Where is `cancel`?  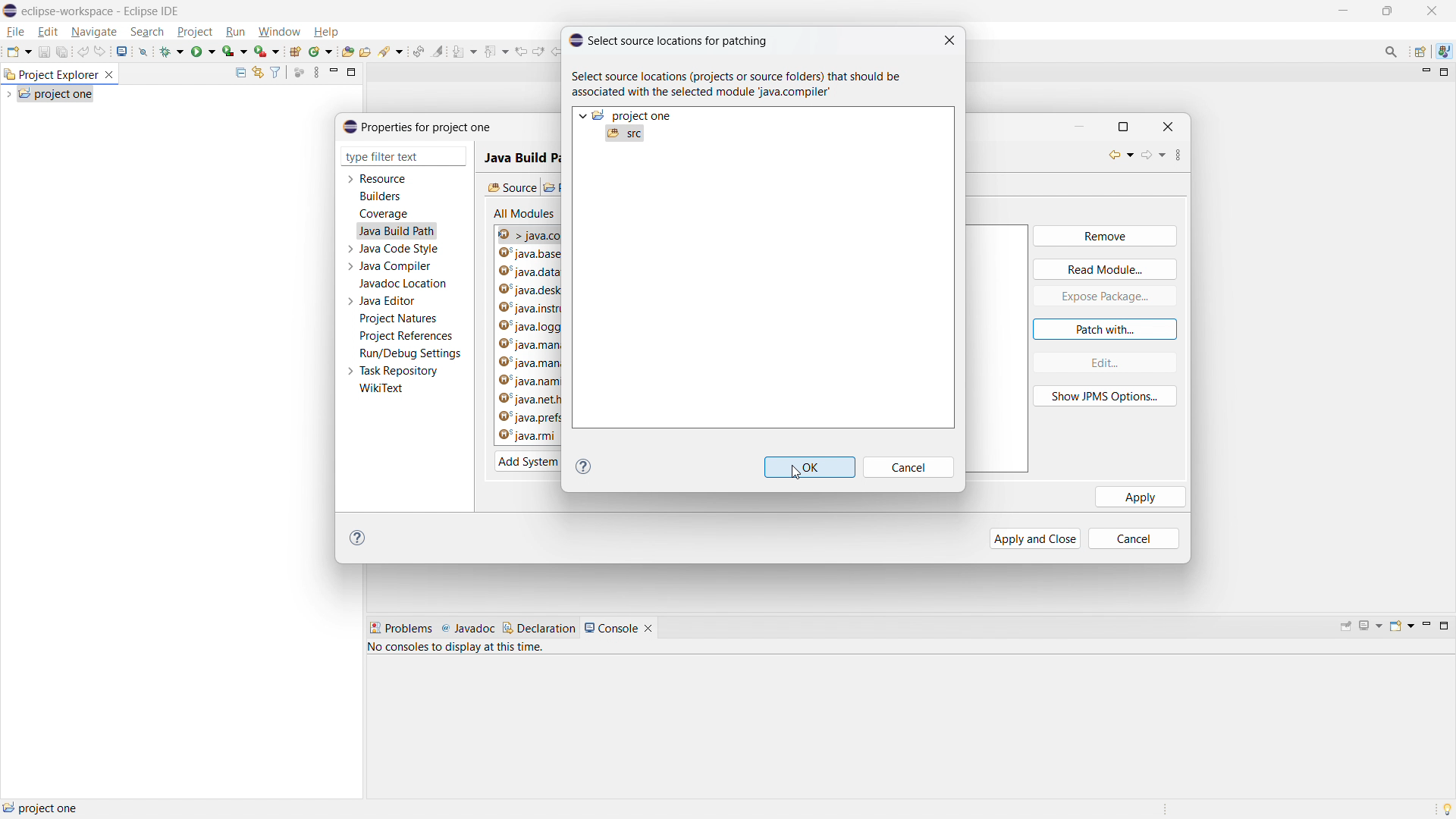
cancel is located at coordinates (1141, 538).